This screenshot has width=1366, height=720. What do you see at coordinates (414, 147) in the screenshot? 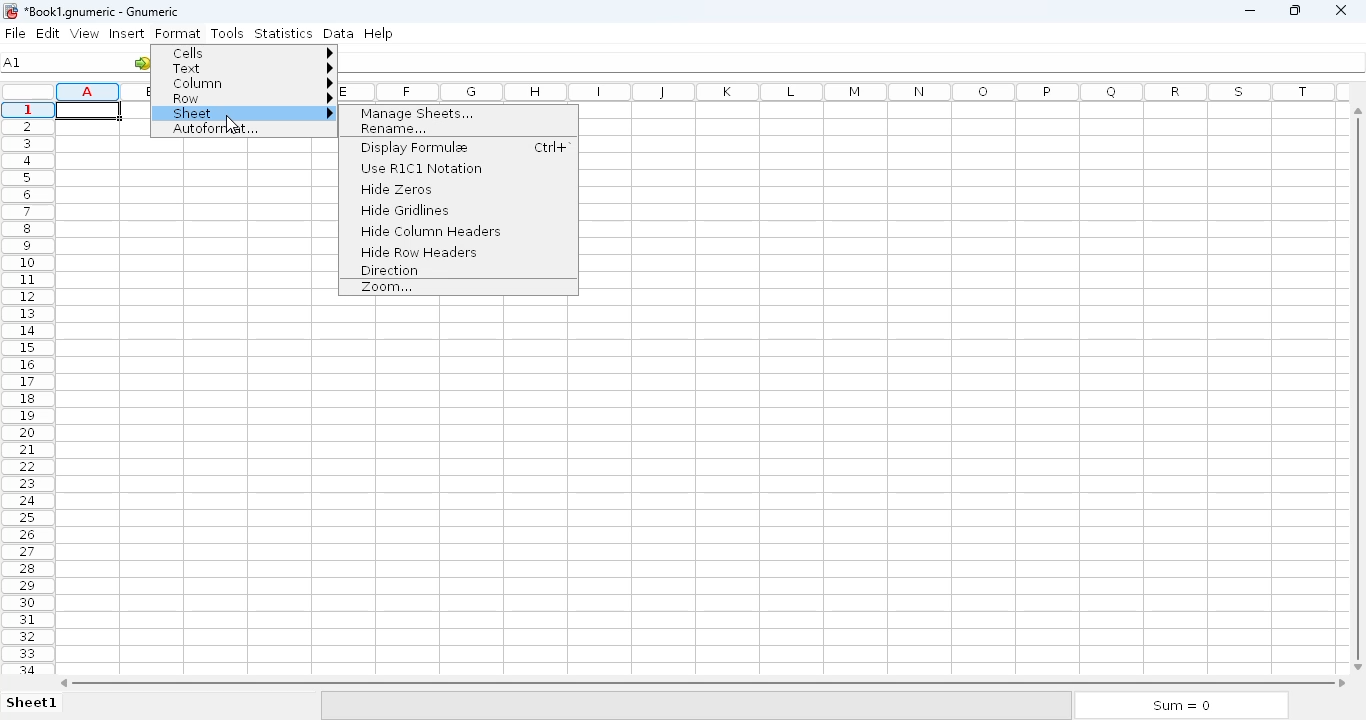
I see `display formulae` at bounding box center [414, 147].